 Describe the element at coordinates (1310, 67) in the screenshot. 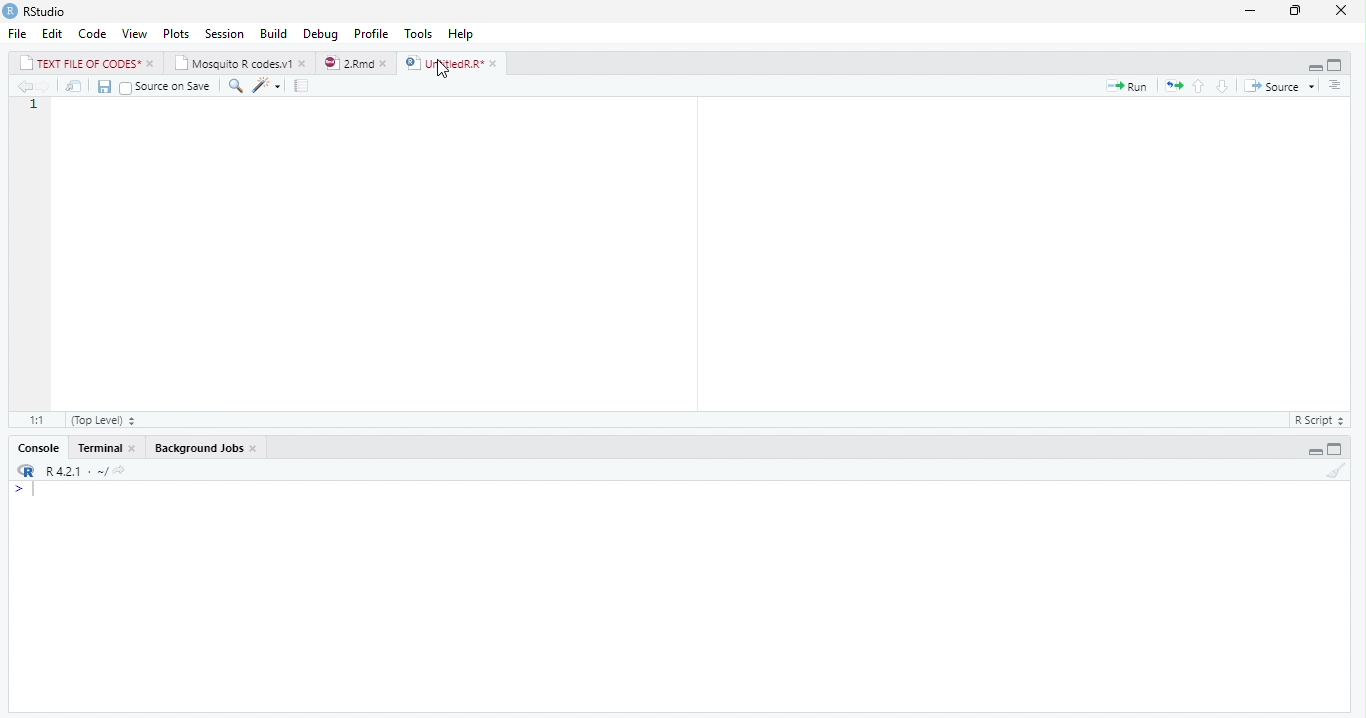

I see `Hide` at that location.